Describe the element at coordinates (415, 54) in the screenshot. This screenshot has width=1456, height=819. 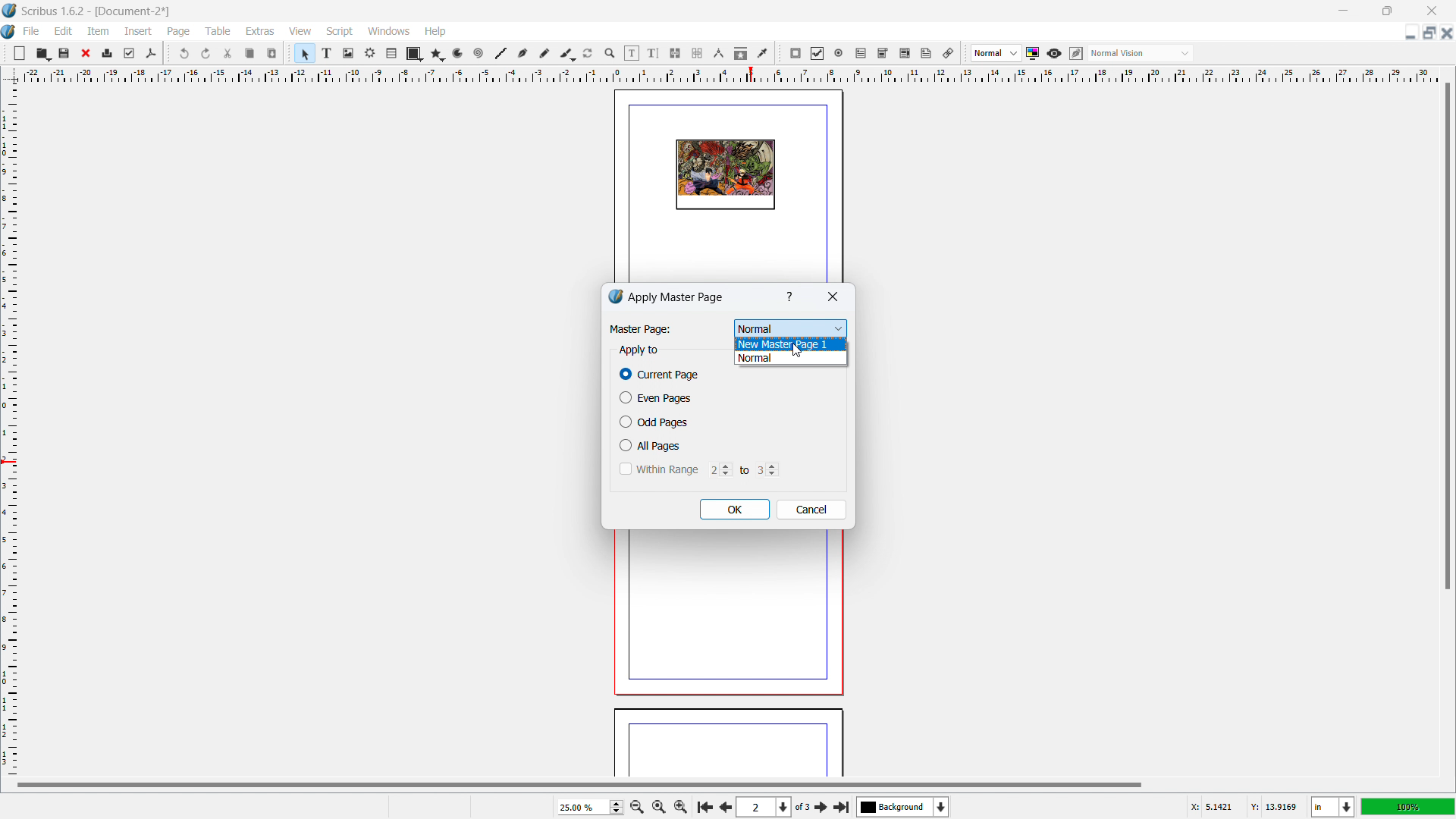
I see `shape` at that location.